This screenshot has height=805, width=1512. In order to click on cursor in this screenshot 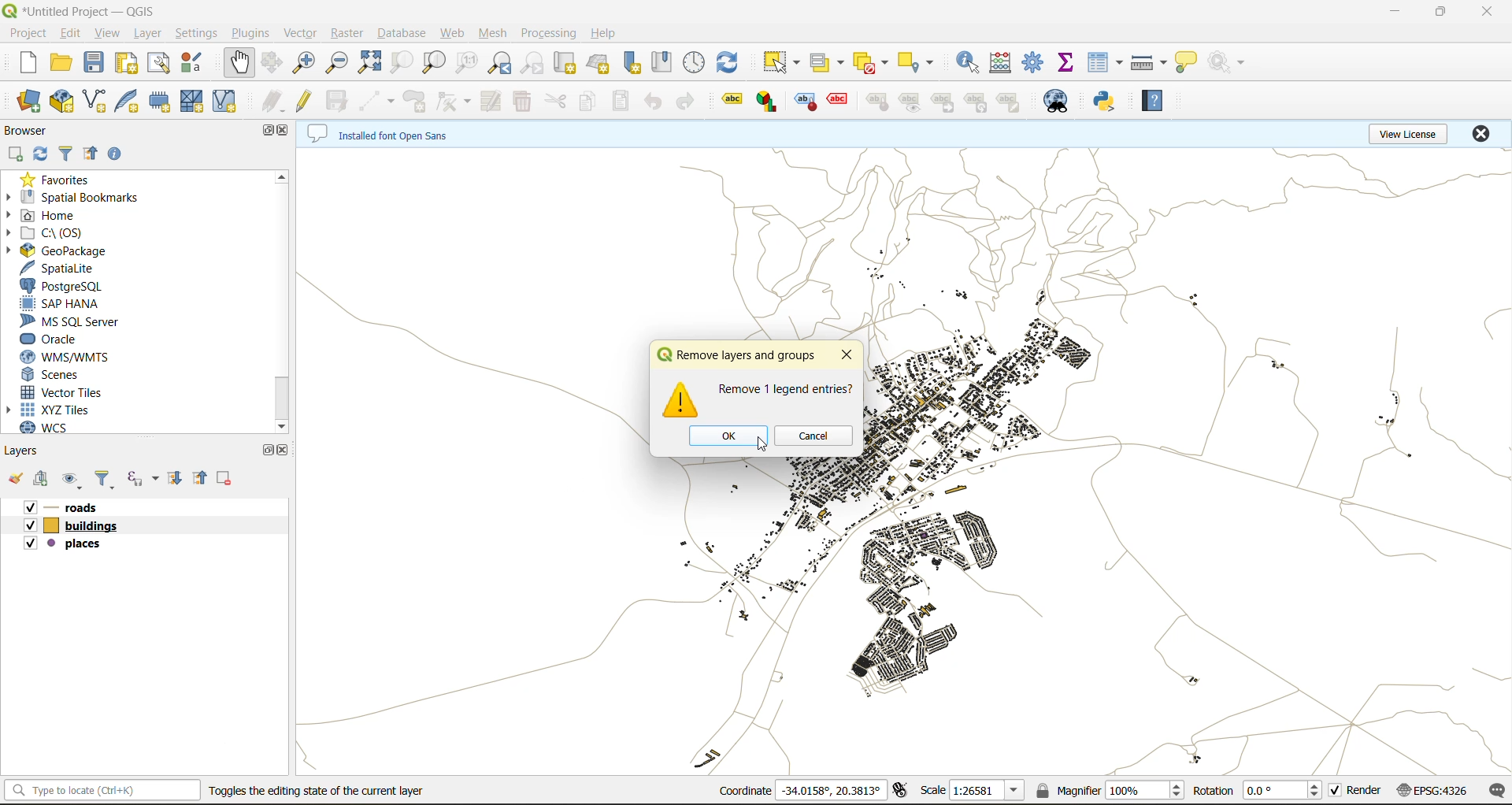, I will do `click(750, 451)`.